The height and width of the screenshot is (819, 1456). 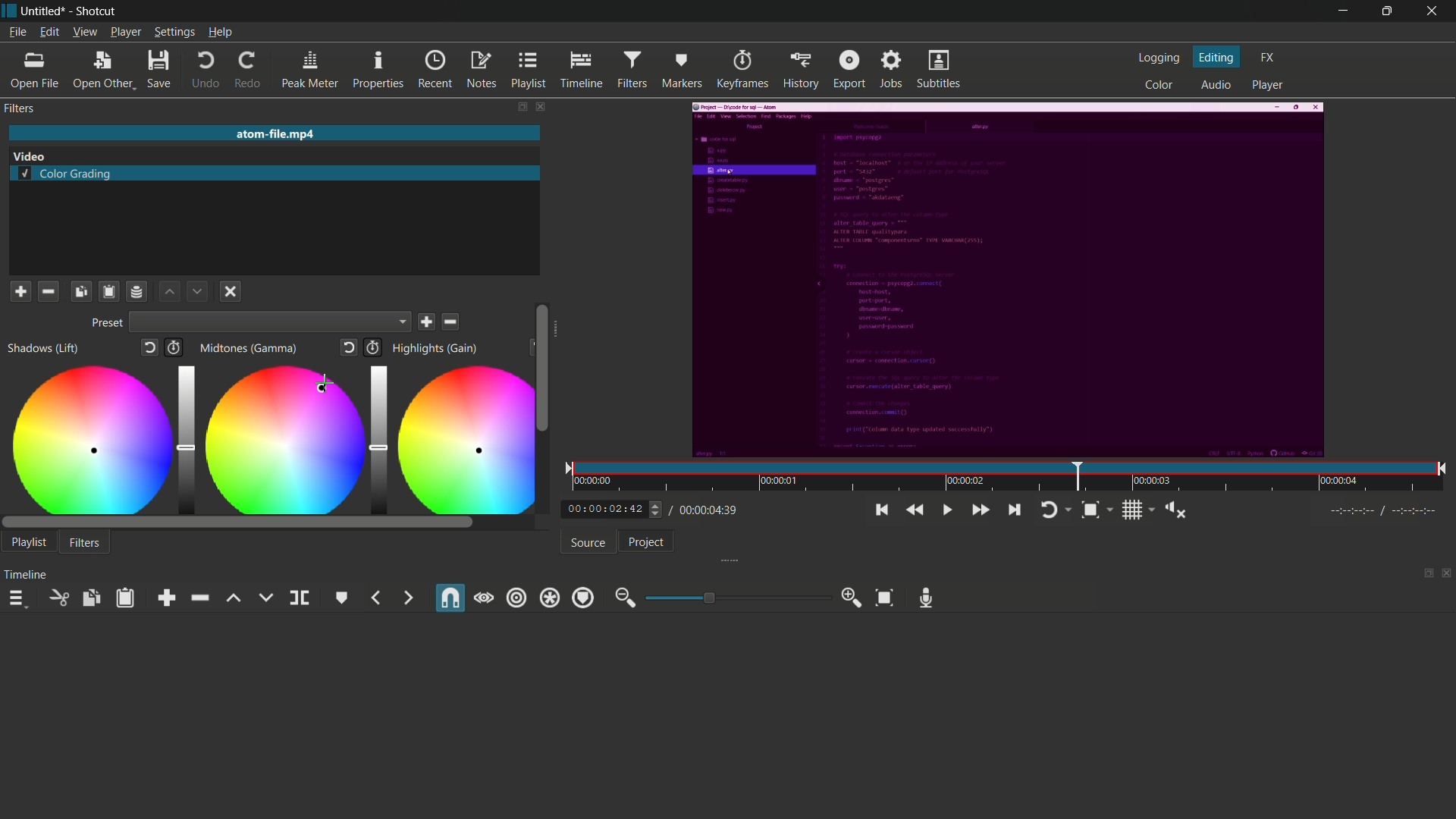 I want to click on quickly play forward, so click(x=981, y=510).